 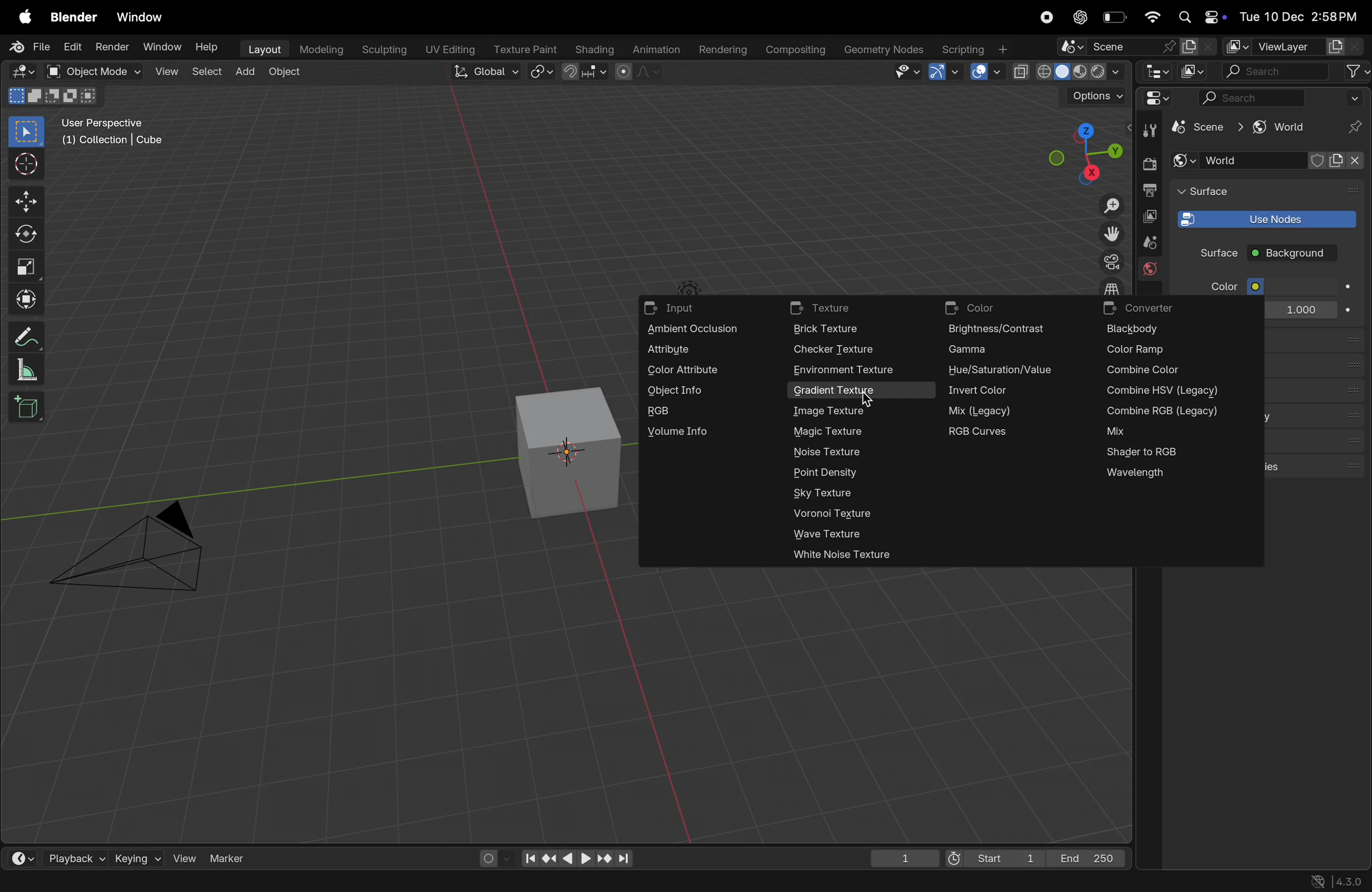 What do you see at coordinates (25, 334) in the screenshot?
I see `annotate` at bounding box center [25, 334].